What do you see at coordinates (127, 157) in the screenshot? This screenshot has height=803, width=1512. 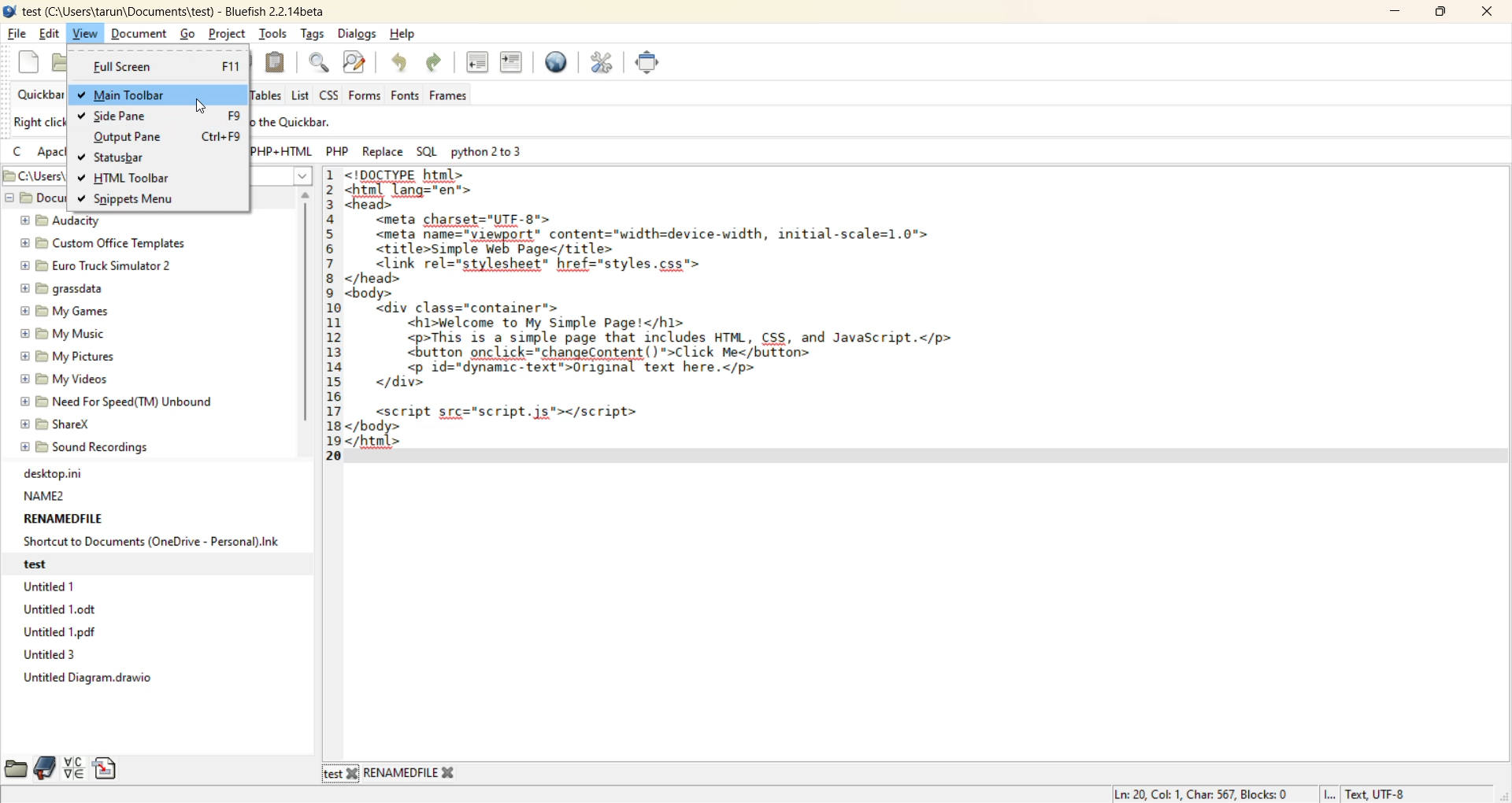 I see `statusbar` at bounding box center [127, 157].